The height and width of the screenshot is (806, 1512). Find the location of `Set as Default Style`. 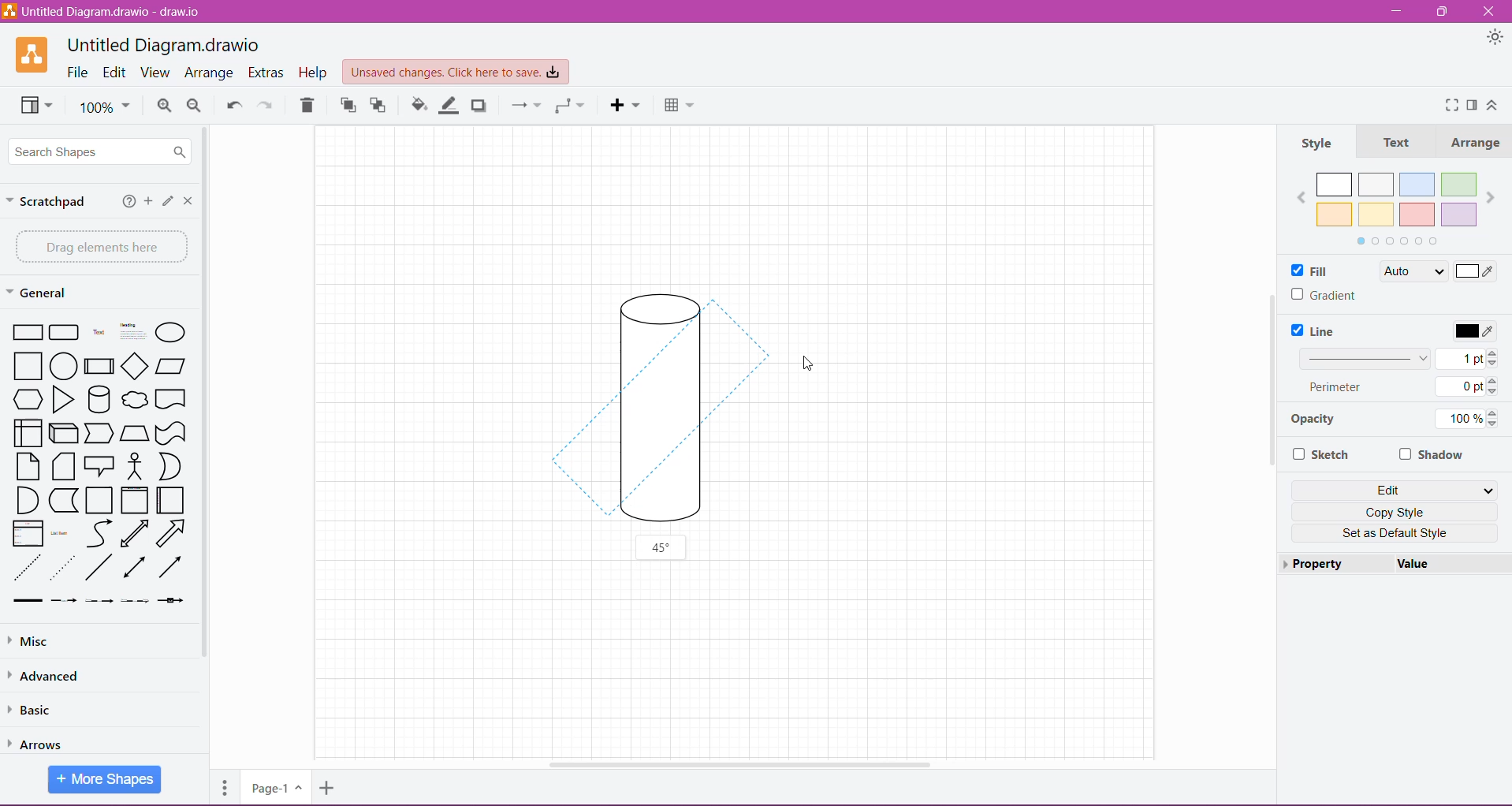

Set as Default Style is located at coordinates (1395, 534).